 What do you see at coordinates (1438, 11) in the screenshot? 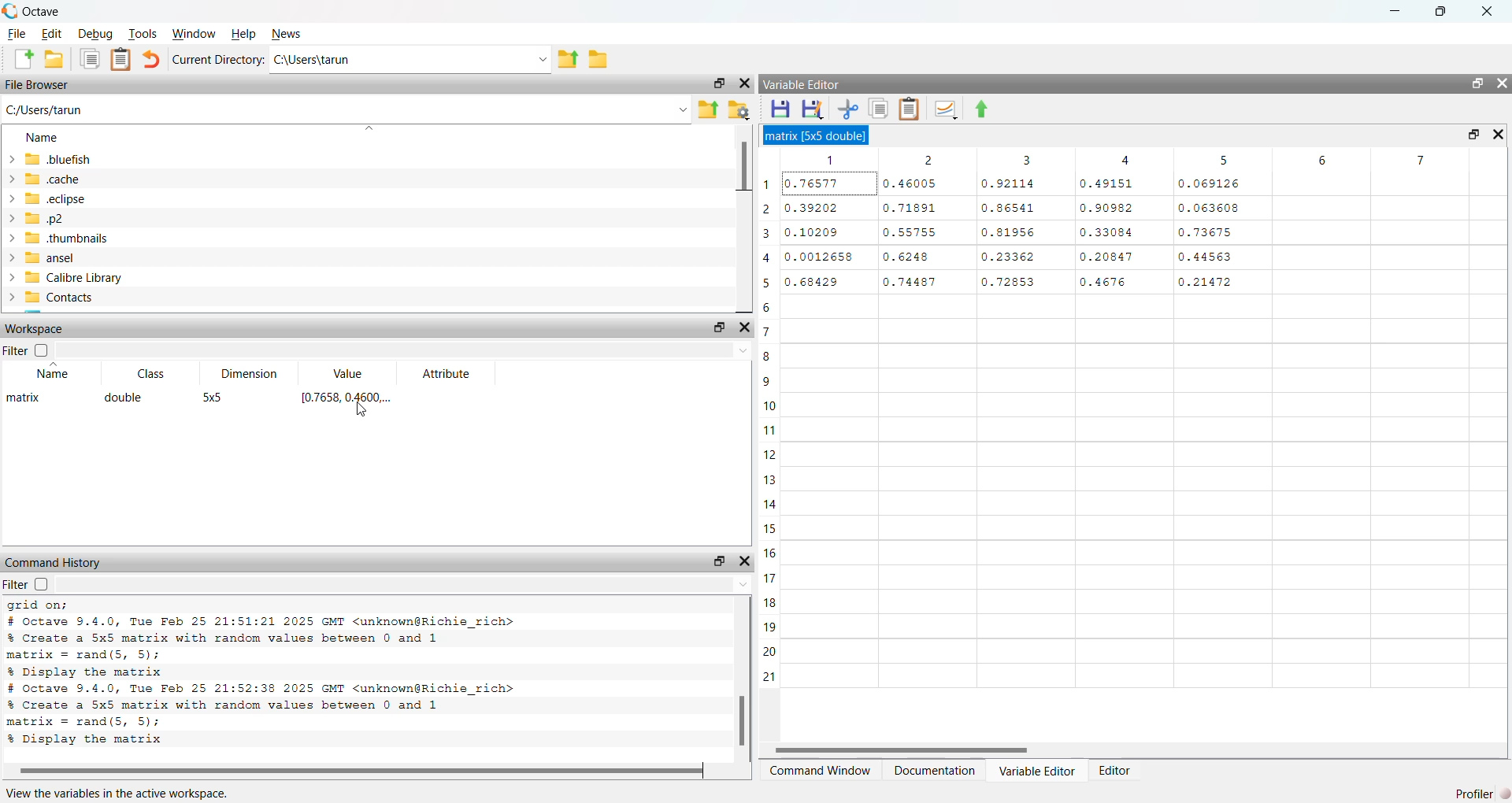
I see `maximise` at bounding box center [1438, 11].